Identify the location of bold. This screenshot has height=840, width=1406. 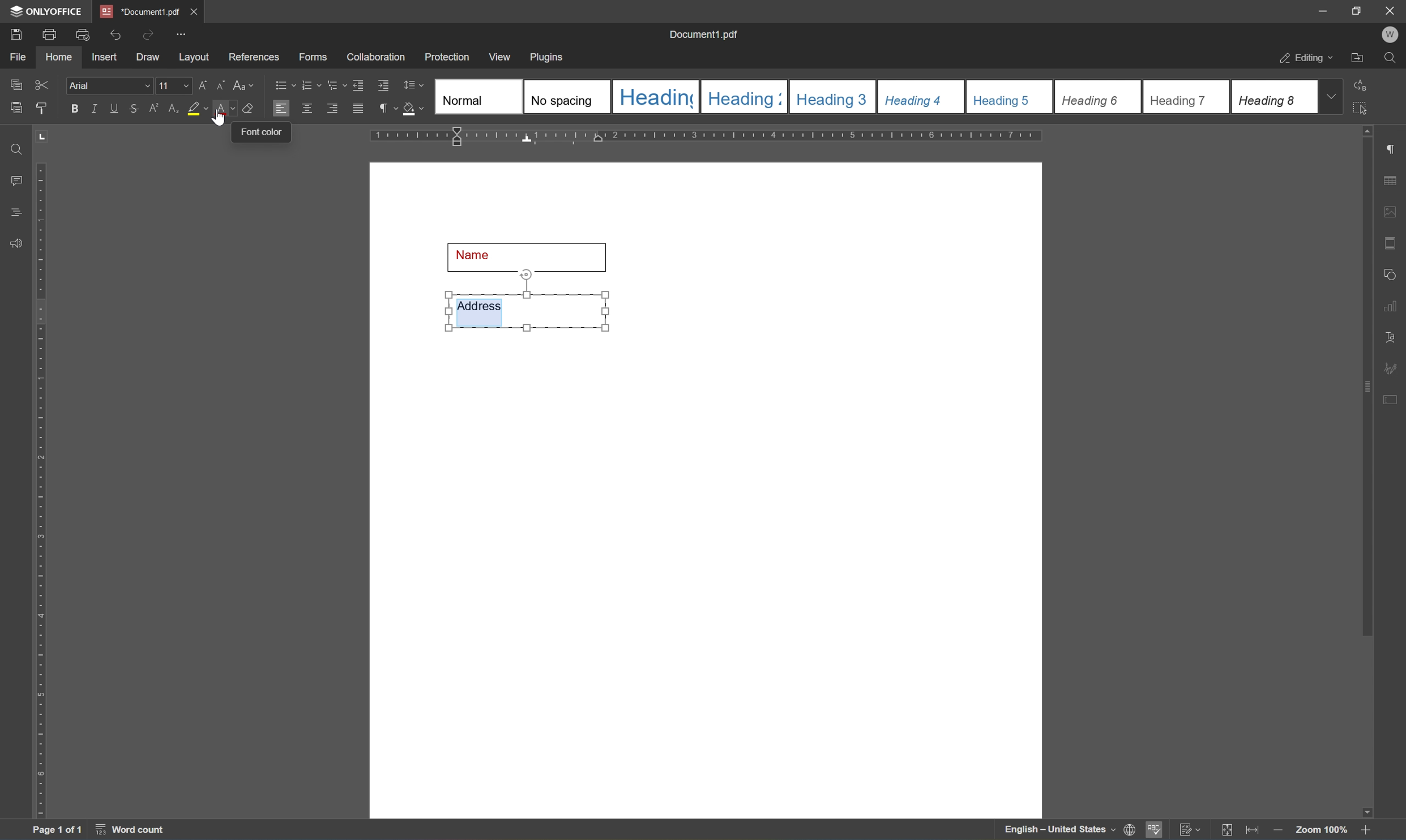
(73, 109).